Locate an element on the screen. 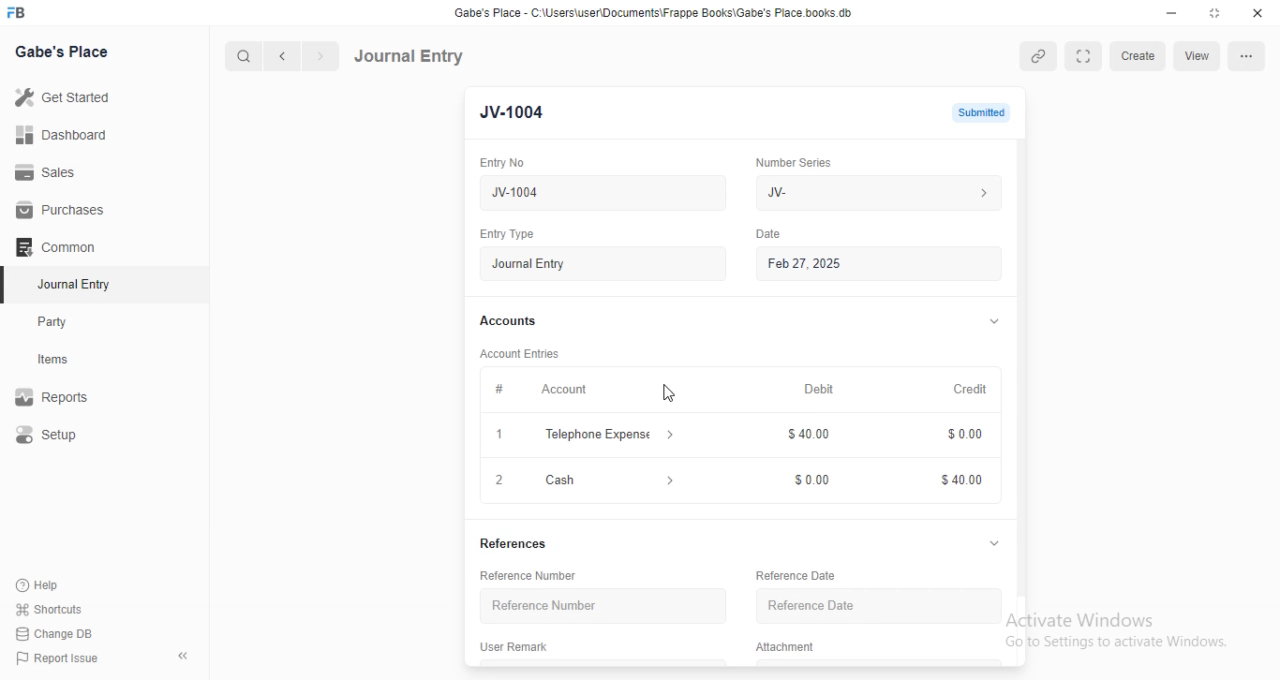  ' Shortcuts is located at coordinates (50, 608).